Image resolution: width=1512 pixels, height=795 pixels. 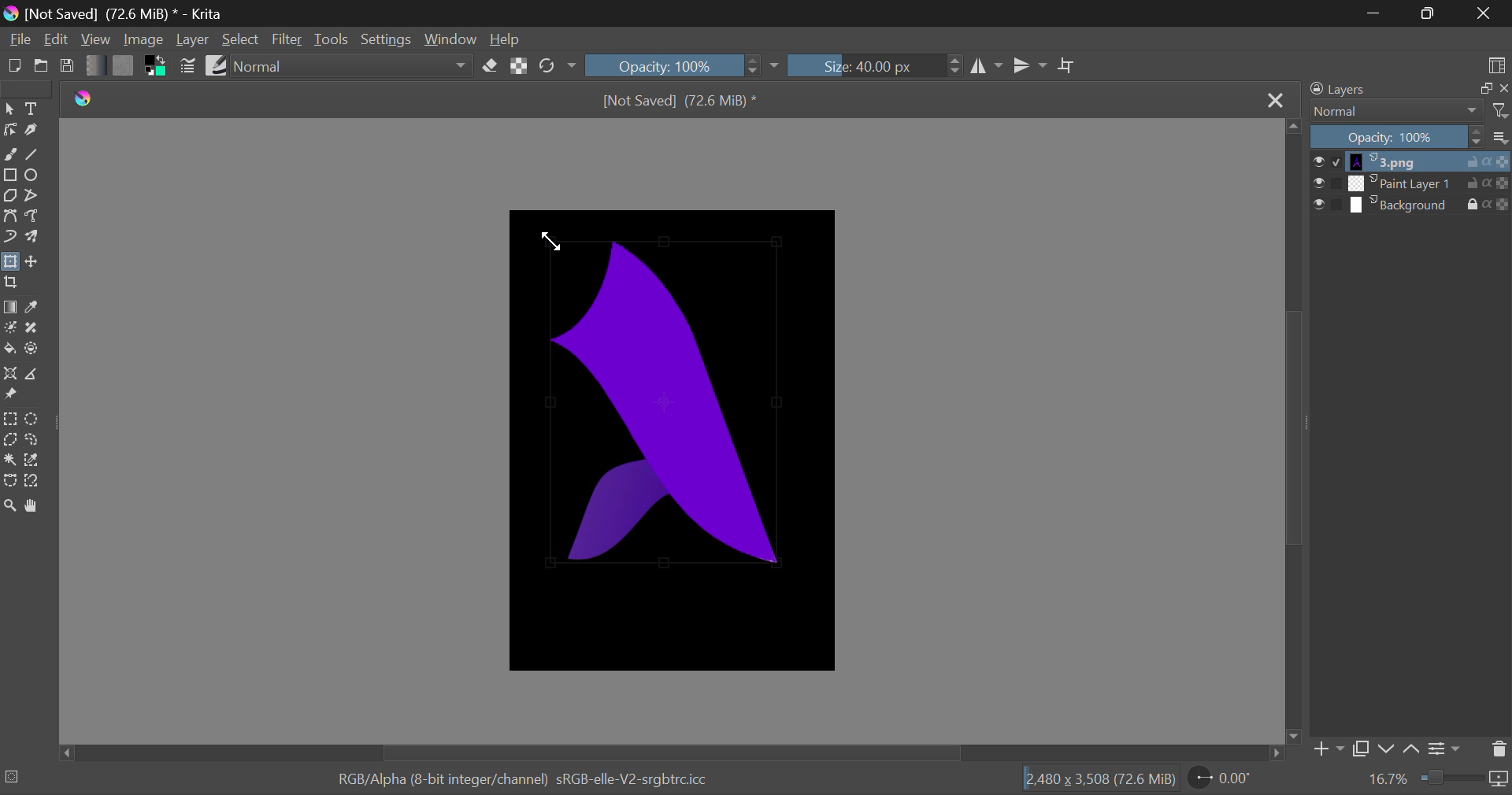 What do you see at coordinates (41, 66) in the screenshot?
I see `Open` at bounding box center [41, 66].